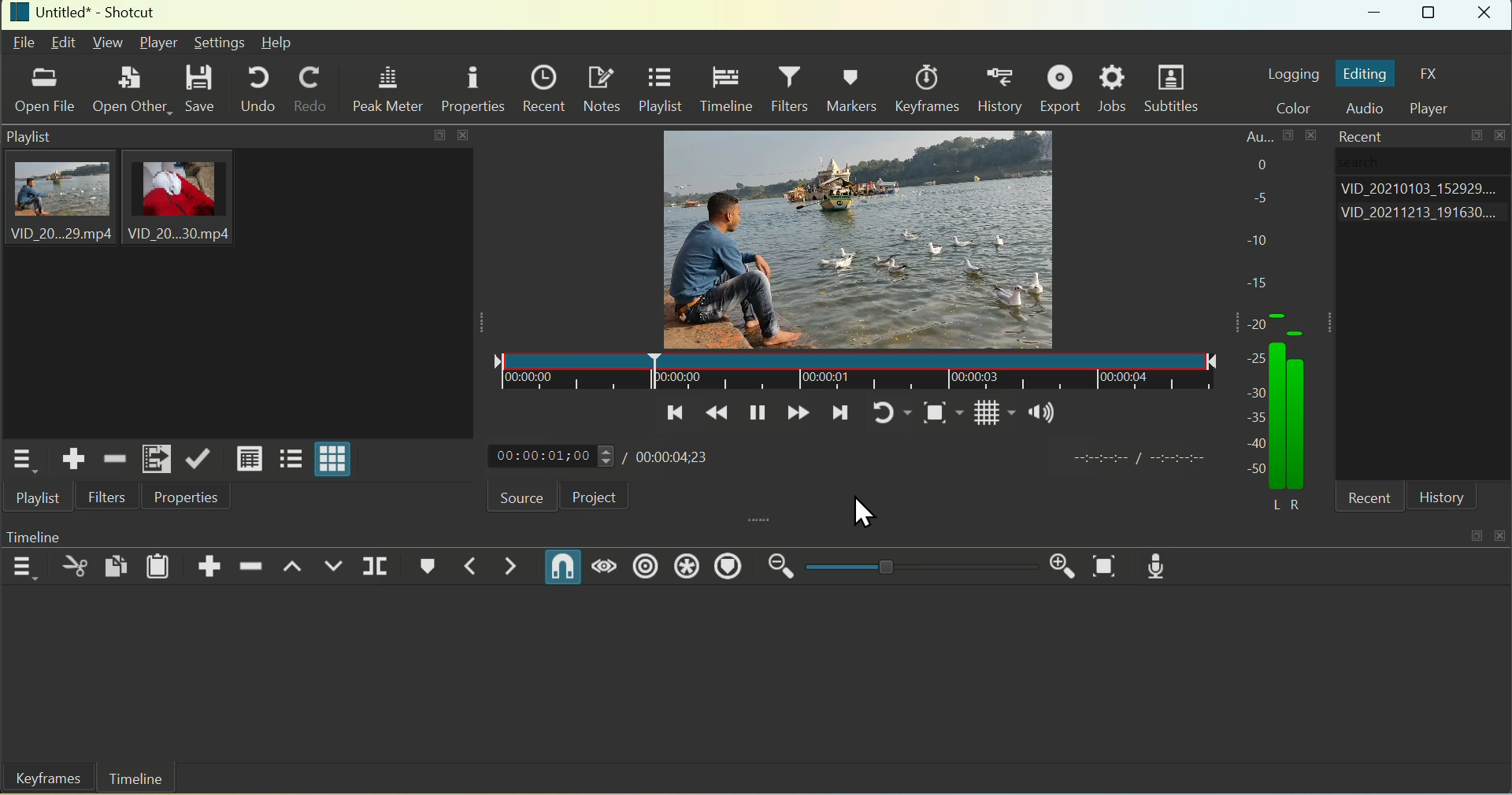 Image resolution: width=1512 pixels, height=795 pixels. Describe the element at coordinates (1478, 138) in the screenshot. I see `maximize` at that location.